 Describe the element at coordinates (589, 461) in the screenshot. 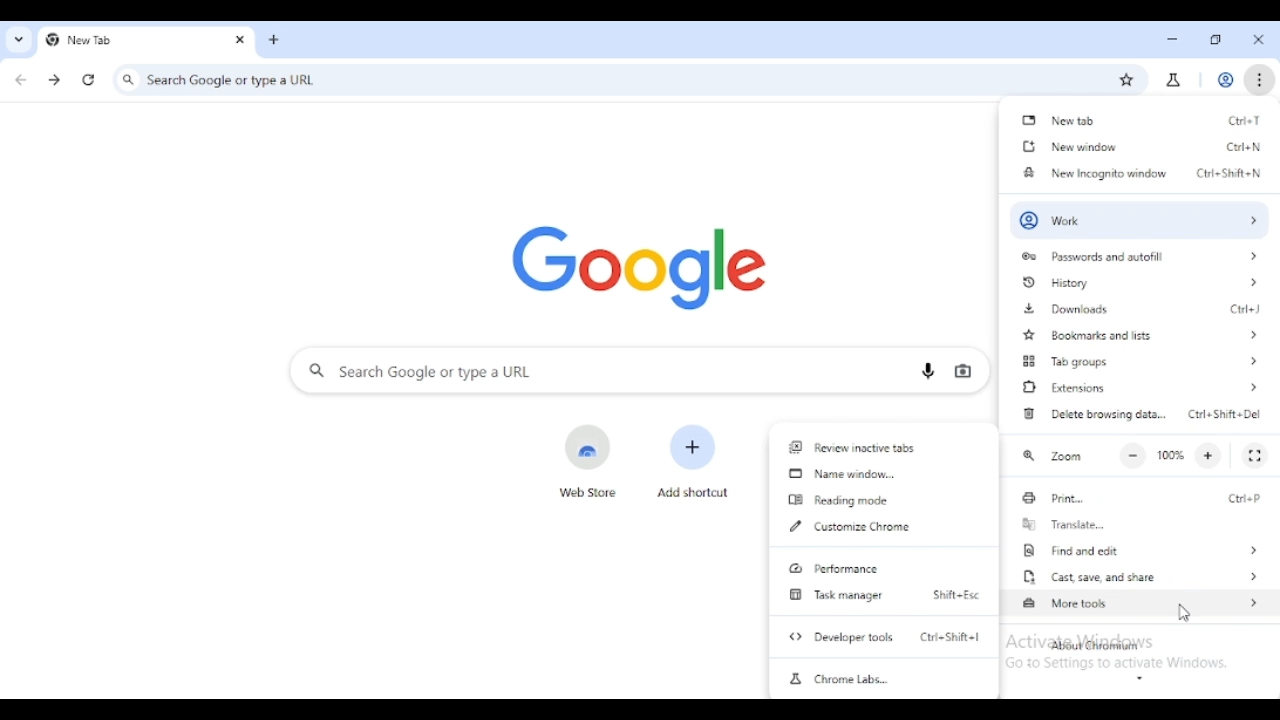

I see `web store` at that location.